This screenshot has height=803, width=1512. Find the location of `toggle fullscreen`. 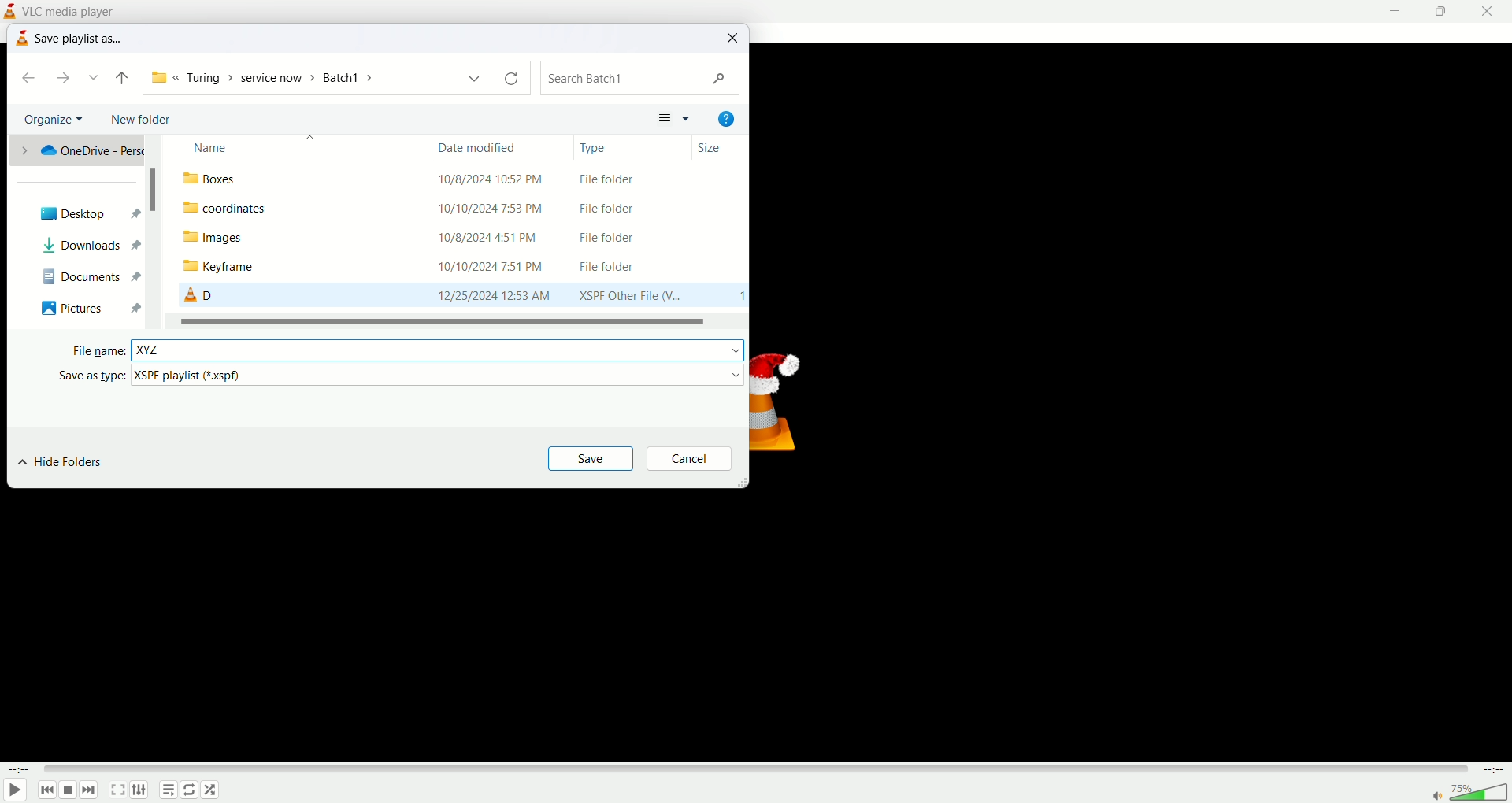

toggle fullscreen is located at coordinates (117, 791).